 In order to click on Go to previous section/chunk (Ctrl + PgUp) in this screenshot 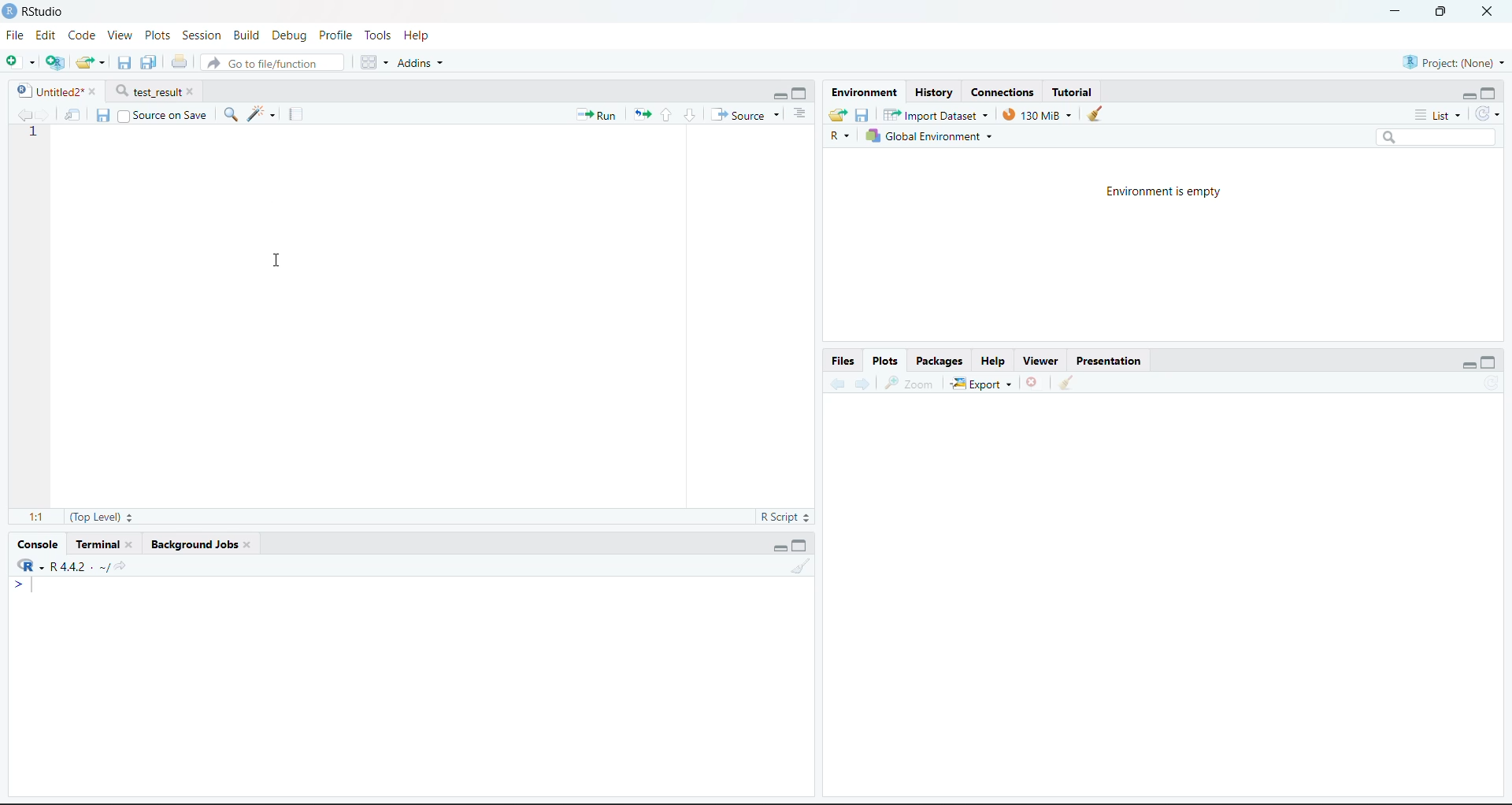, I will do `click(669, 117)`.